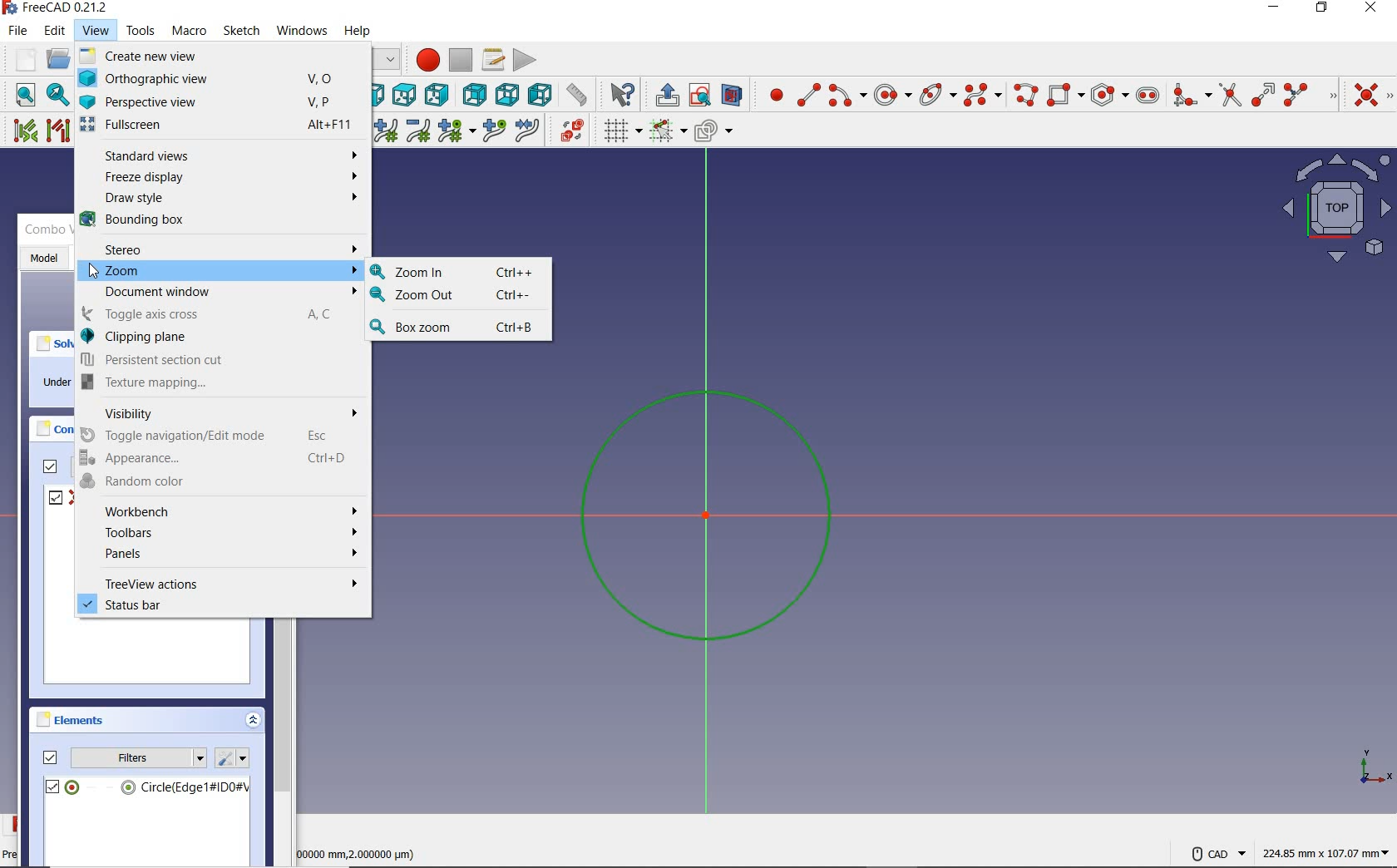  What do you see at coordinates (707, 518) in the screenshot?
I see `sketch zoomed in` at bounding box center [707, 518].